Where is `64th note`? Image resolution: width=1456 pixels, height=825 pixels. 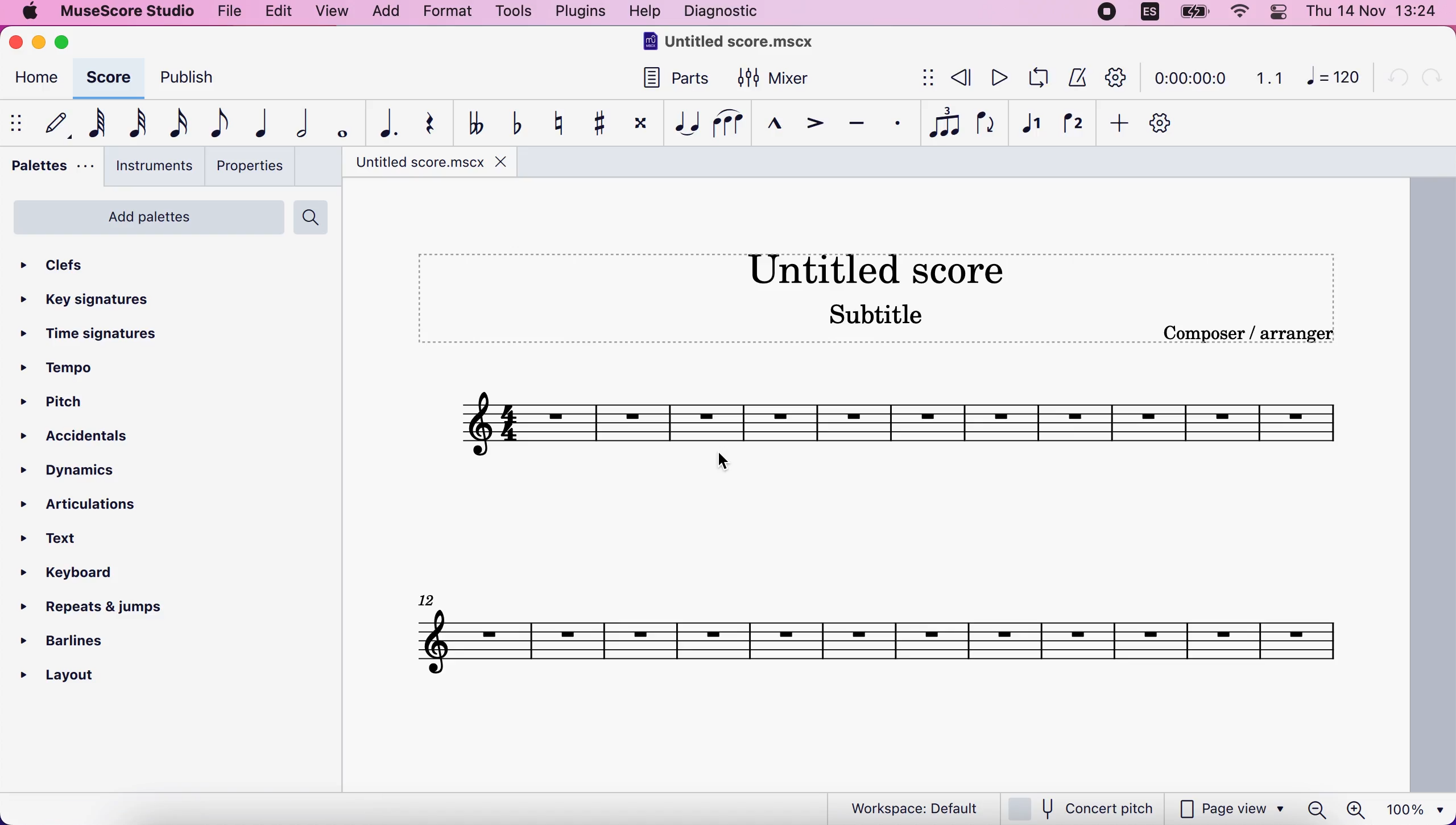
64th note is located at coordinates (94, 122).